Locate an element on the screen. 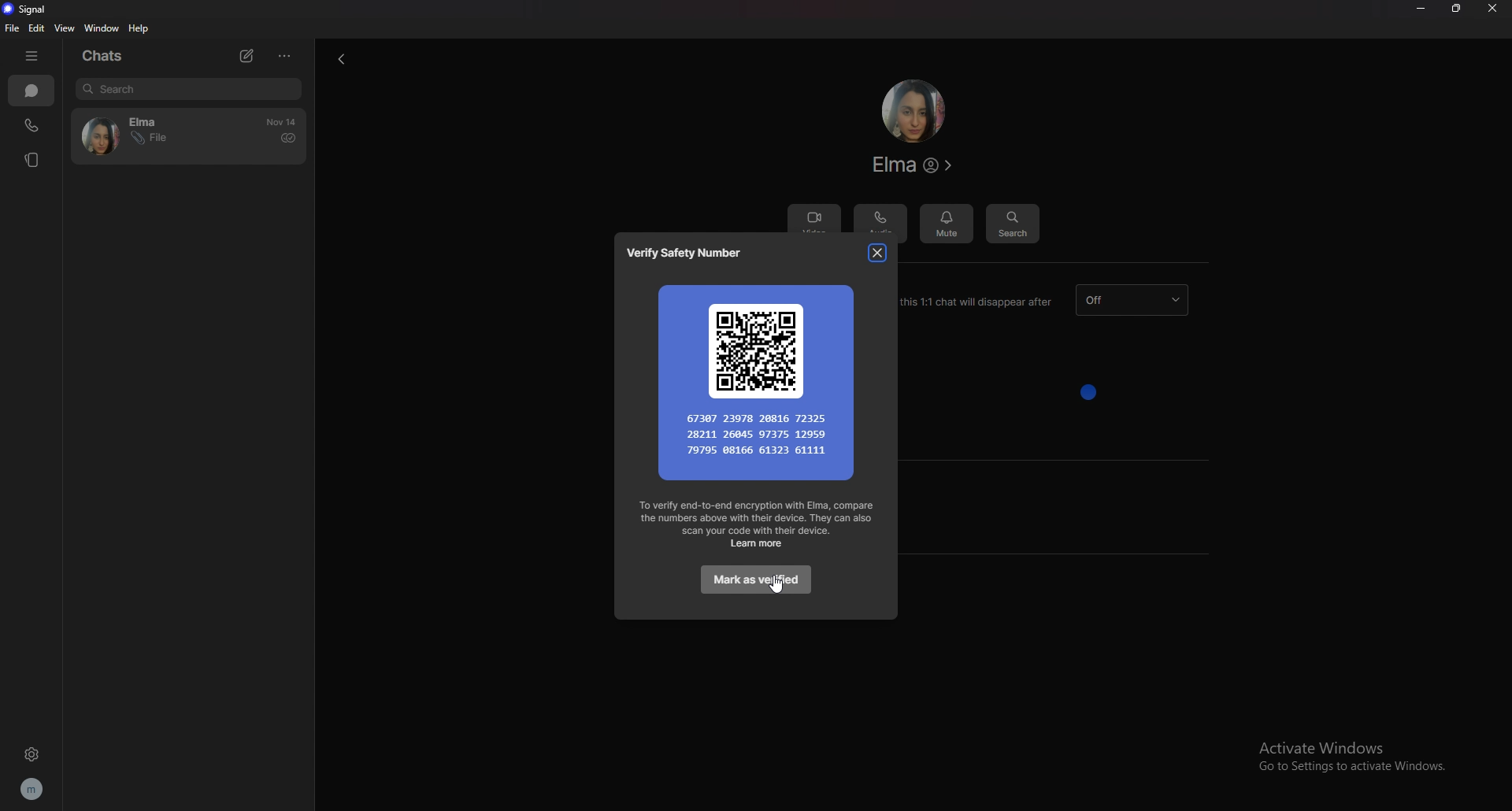 This screenshot has height=811, width=1512. call is located at coordinates (31, 127).